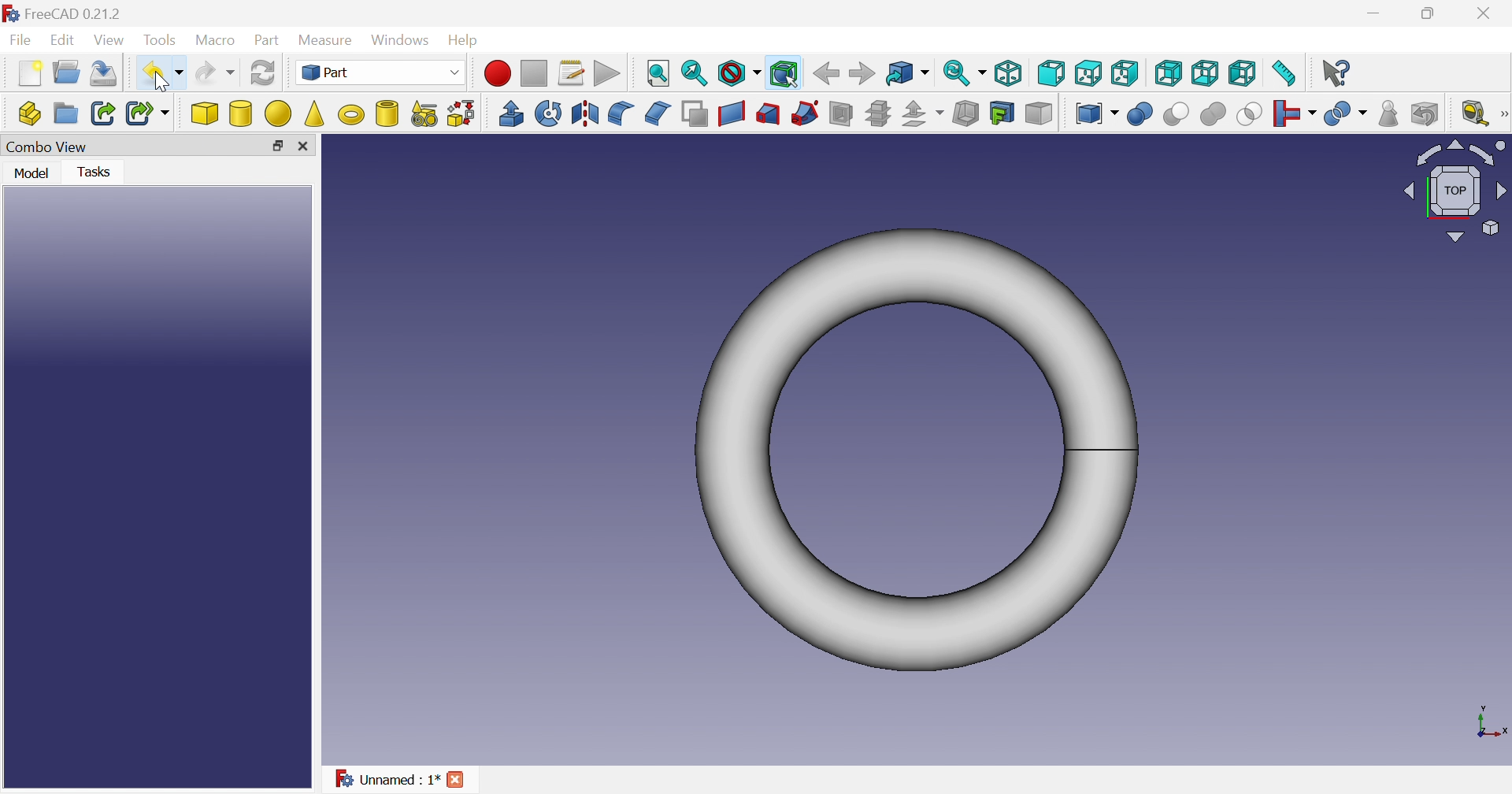 The image size is (1512, 794). What do you see at coordinates (328, 41) in the screenshot?
I see `Measure` at bounding box center [328, 41].